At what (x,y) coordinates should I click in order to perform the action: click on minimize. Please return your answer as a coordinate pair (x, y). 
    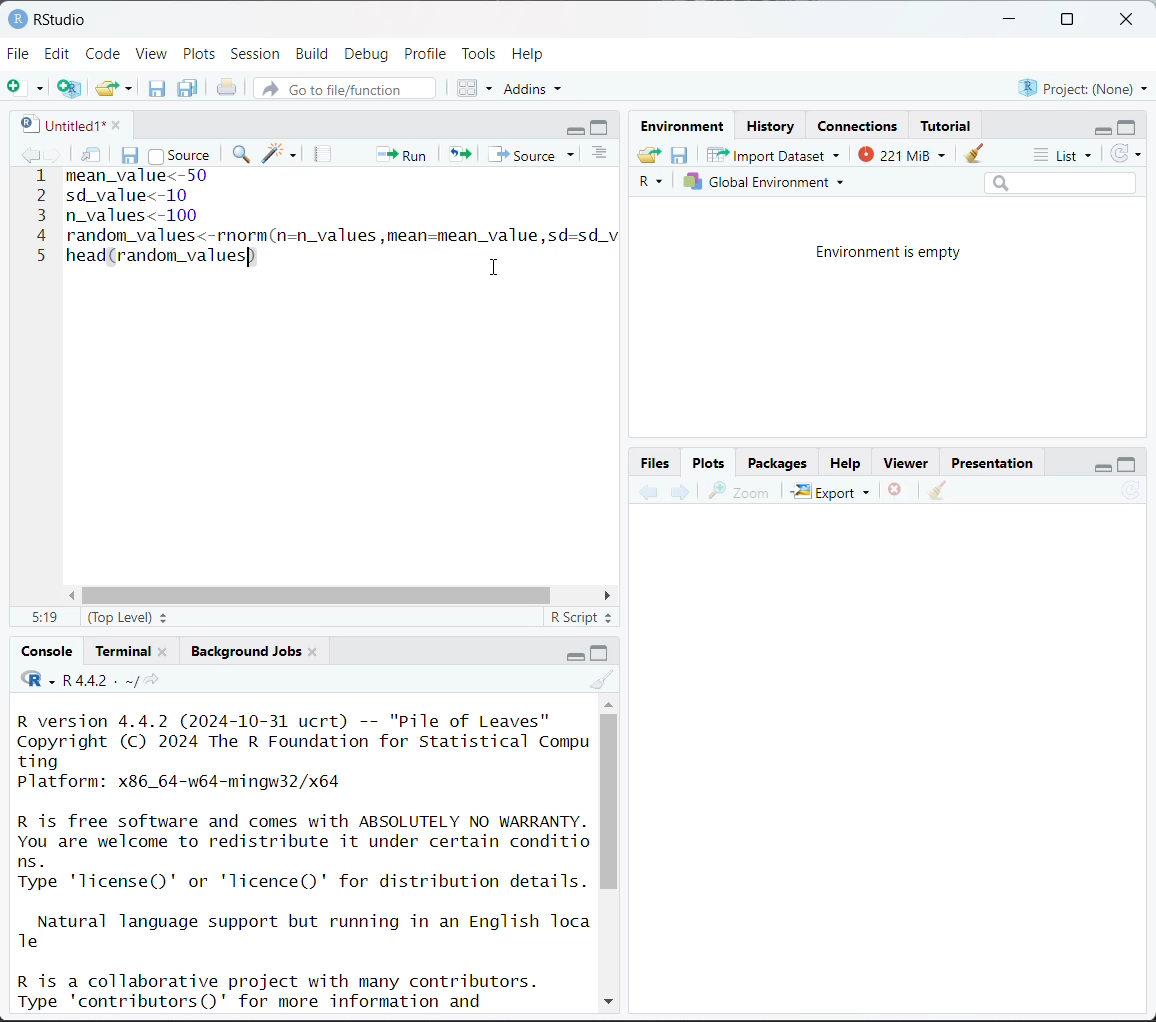
    Looking at the image, I should click on (576, 128).